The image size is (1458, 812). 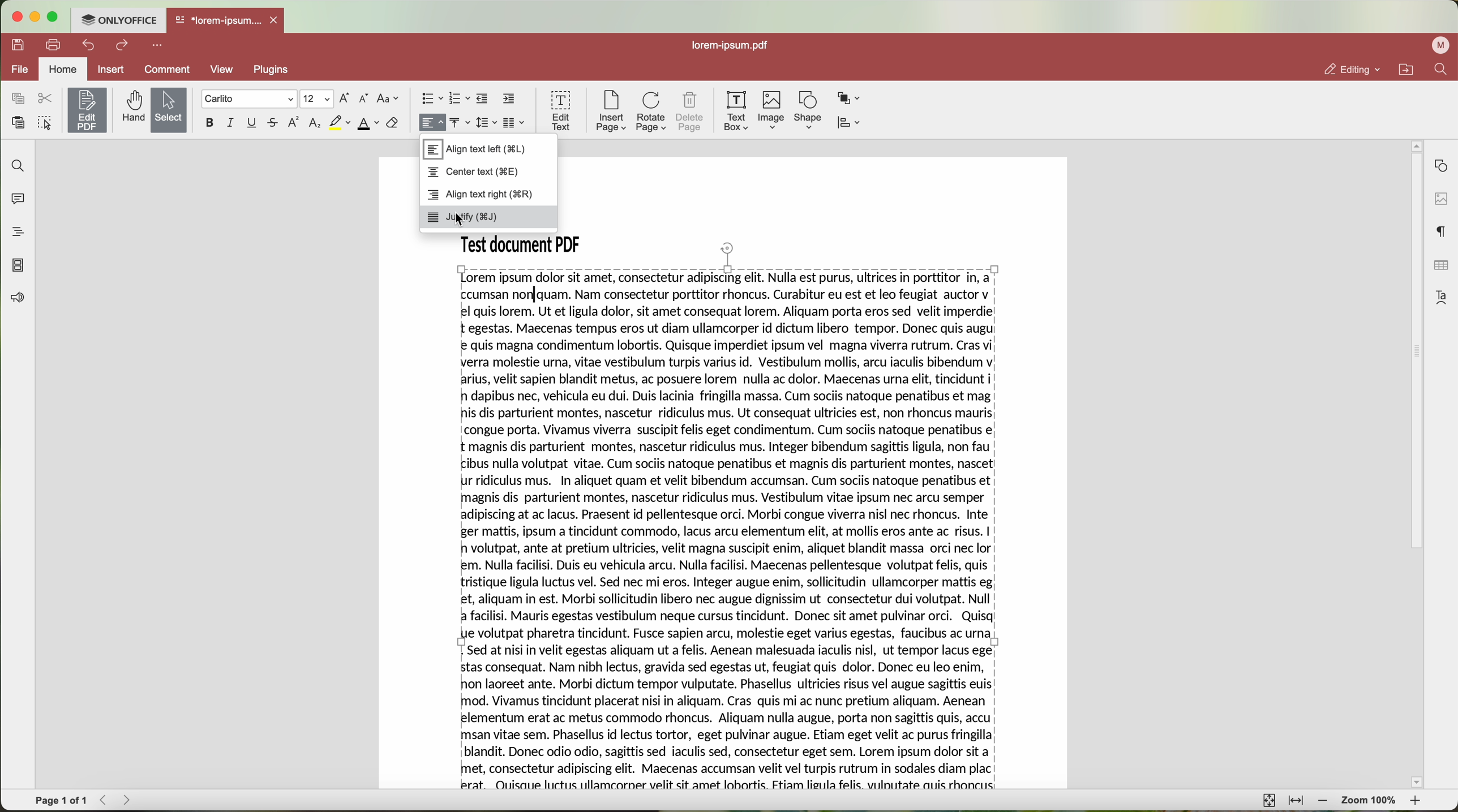 I want to click on save, so click(x=18, y=45).